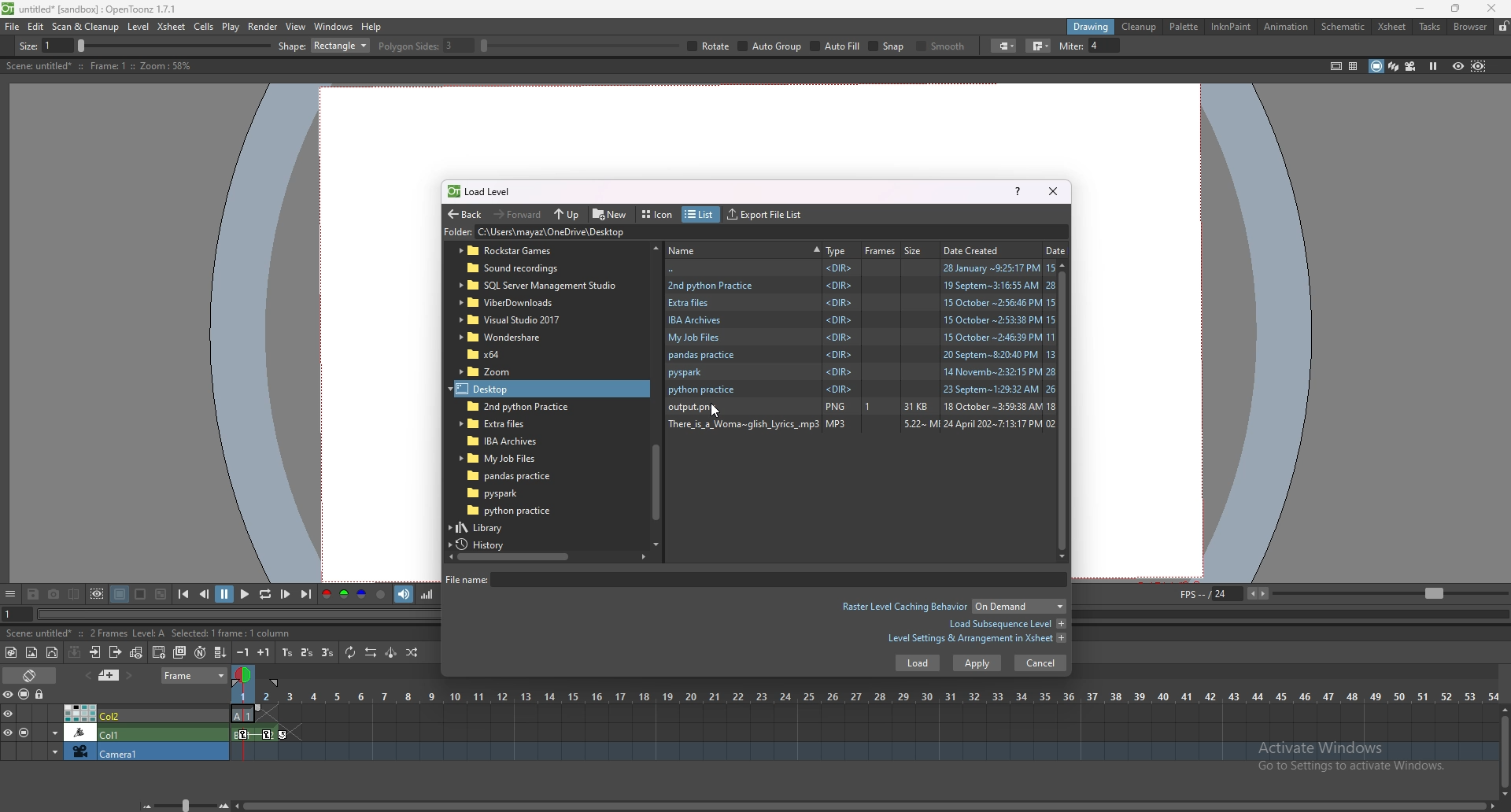 The width and height of the screenshot is (1511, 812). Describe the element at coordinates (1217, 47) in the screenshot. I see `smooth` at that location.